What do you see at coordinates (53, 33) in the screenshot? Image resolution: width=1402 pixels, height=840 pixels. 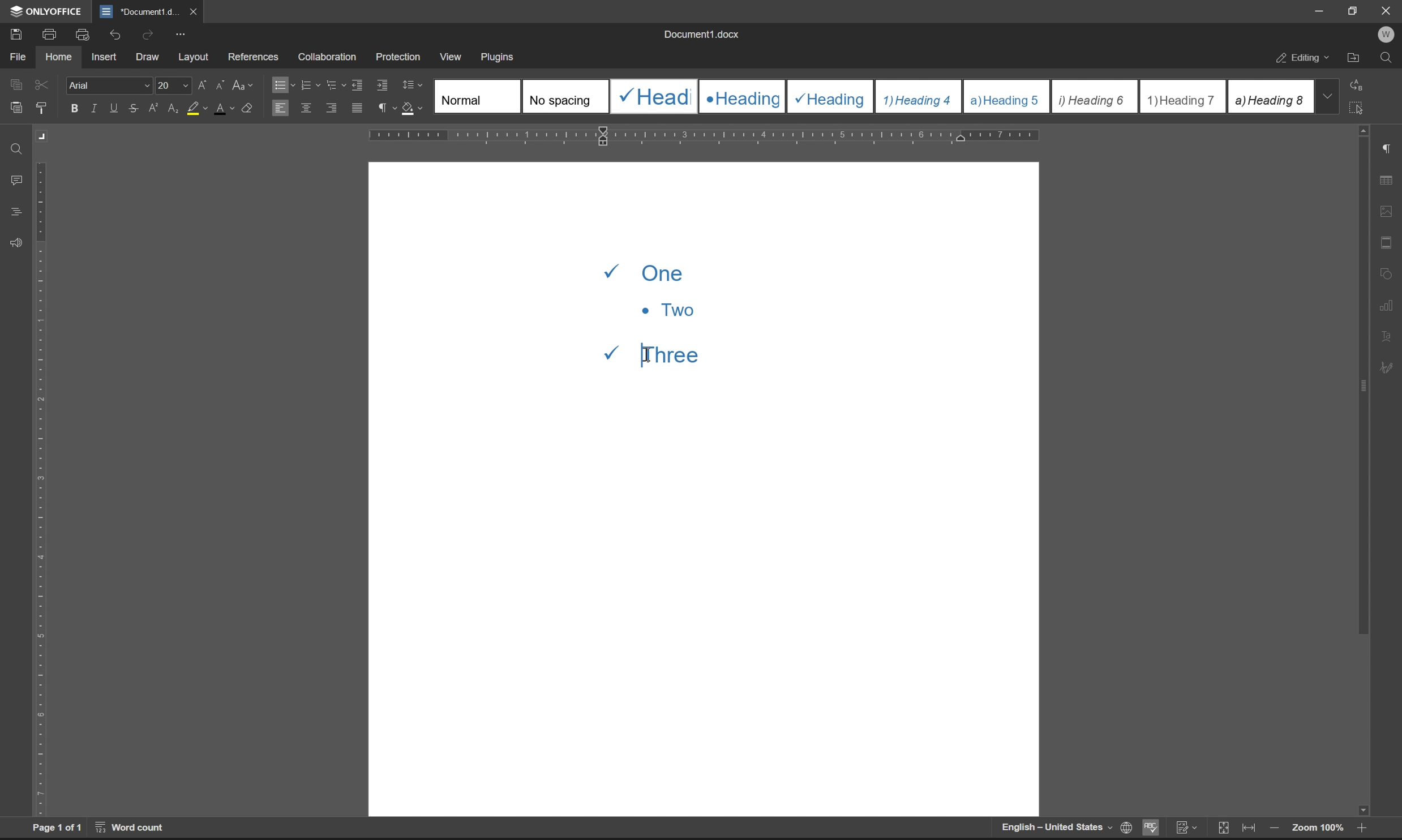 I see `print` at bounding box center [53, 33].